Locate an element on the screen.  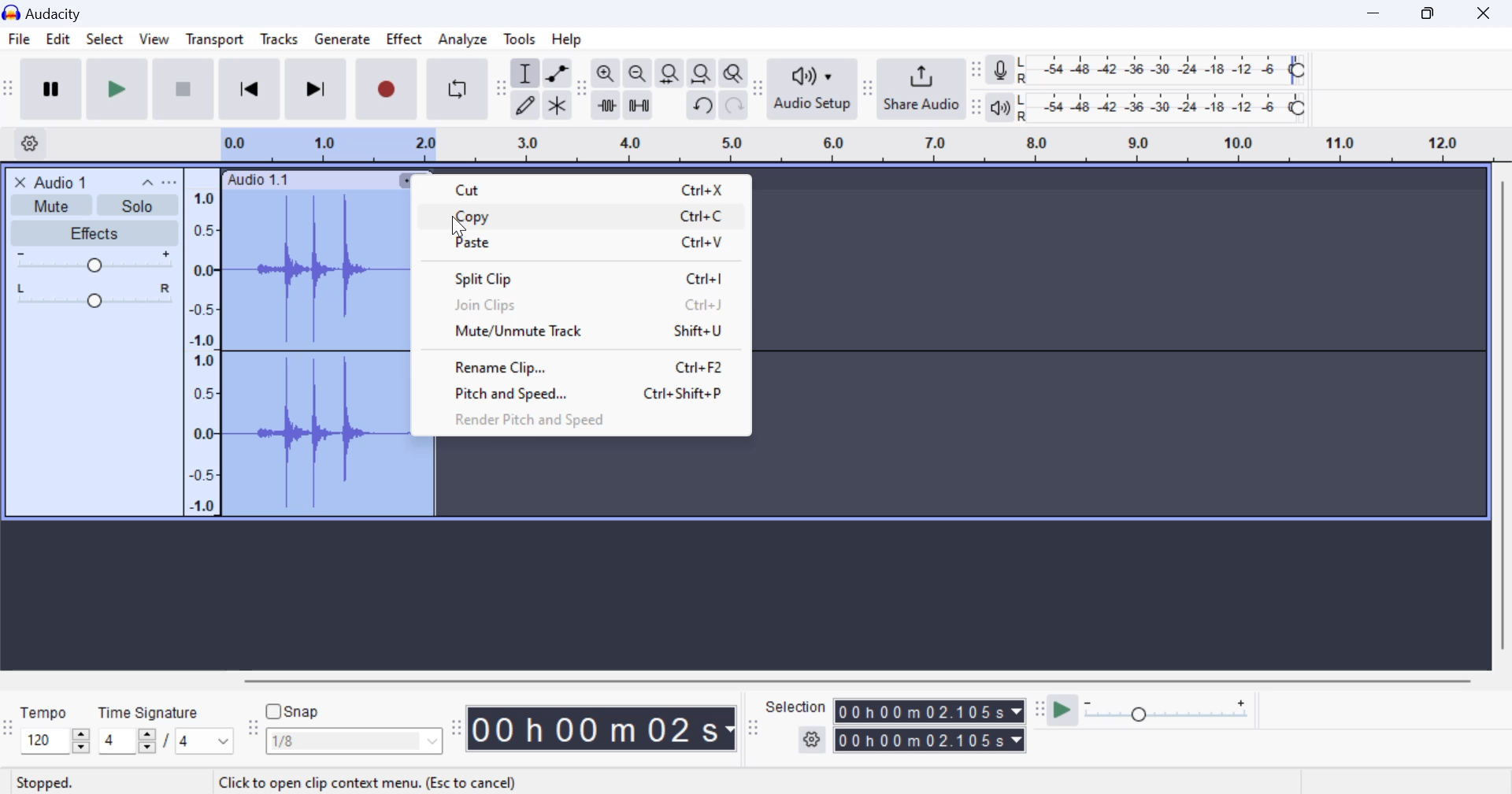
redo is located at coordinates (734, 106).